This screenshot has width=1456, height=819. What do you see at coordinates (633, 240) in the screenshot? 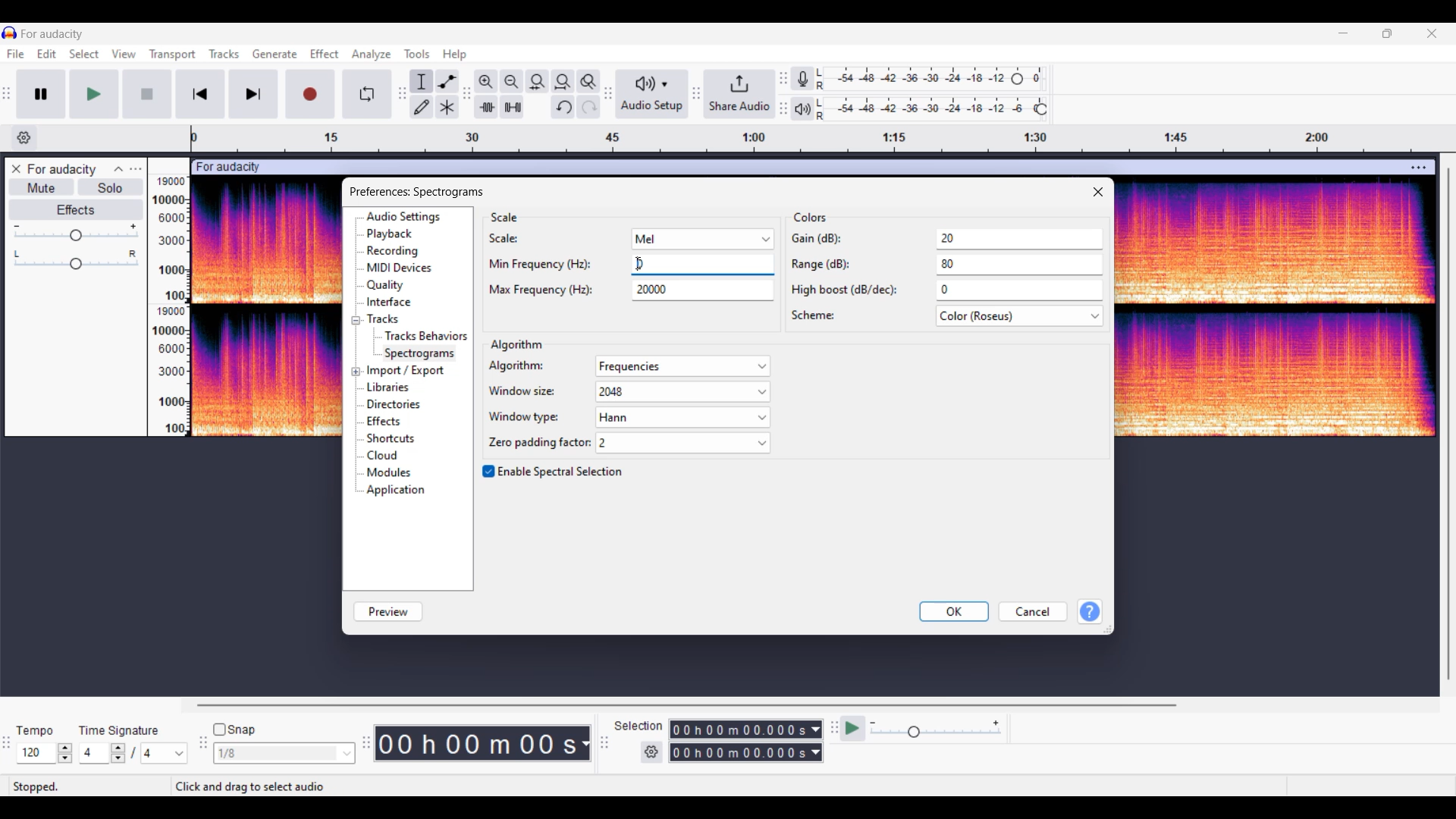
I see `scale` at bounding box center [633, 240].